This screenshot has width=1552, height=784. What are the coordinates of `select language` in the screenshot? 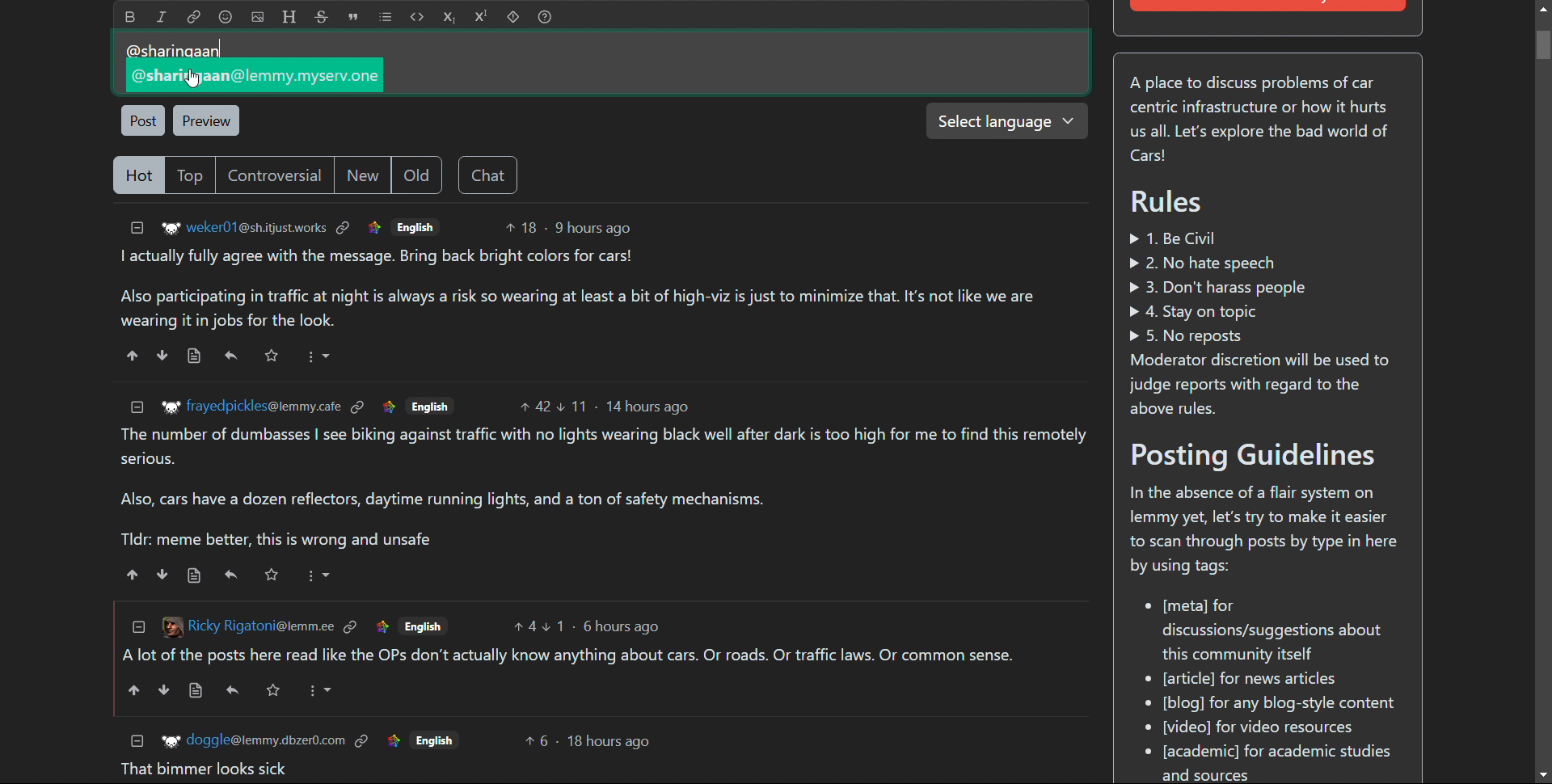 It's located at (1006, 121).